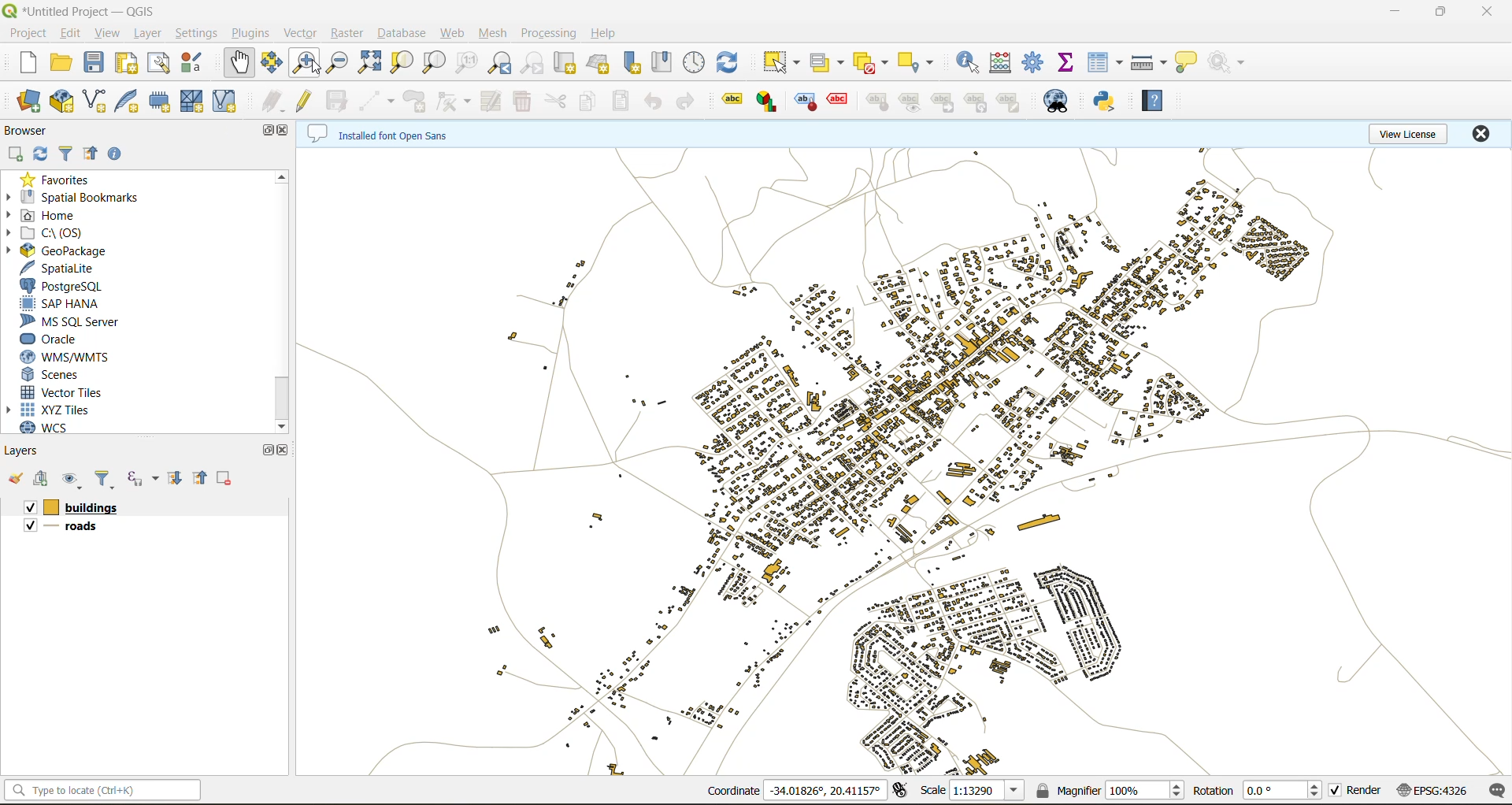 This screenshot has height=805, width=1512. What do you see at coordinates (500, 64) in the screenshot?
I see `zoom last` at bounding box center [500, 64].